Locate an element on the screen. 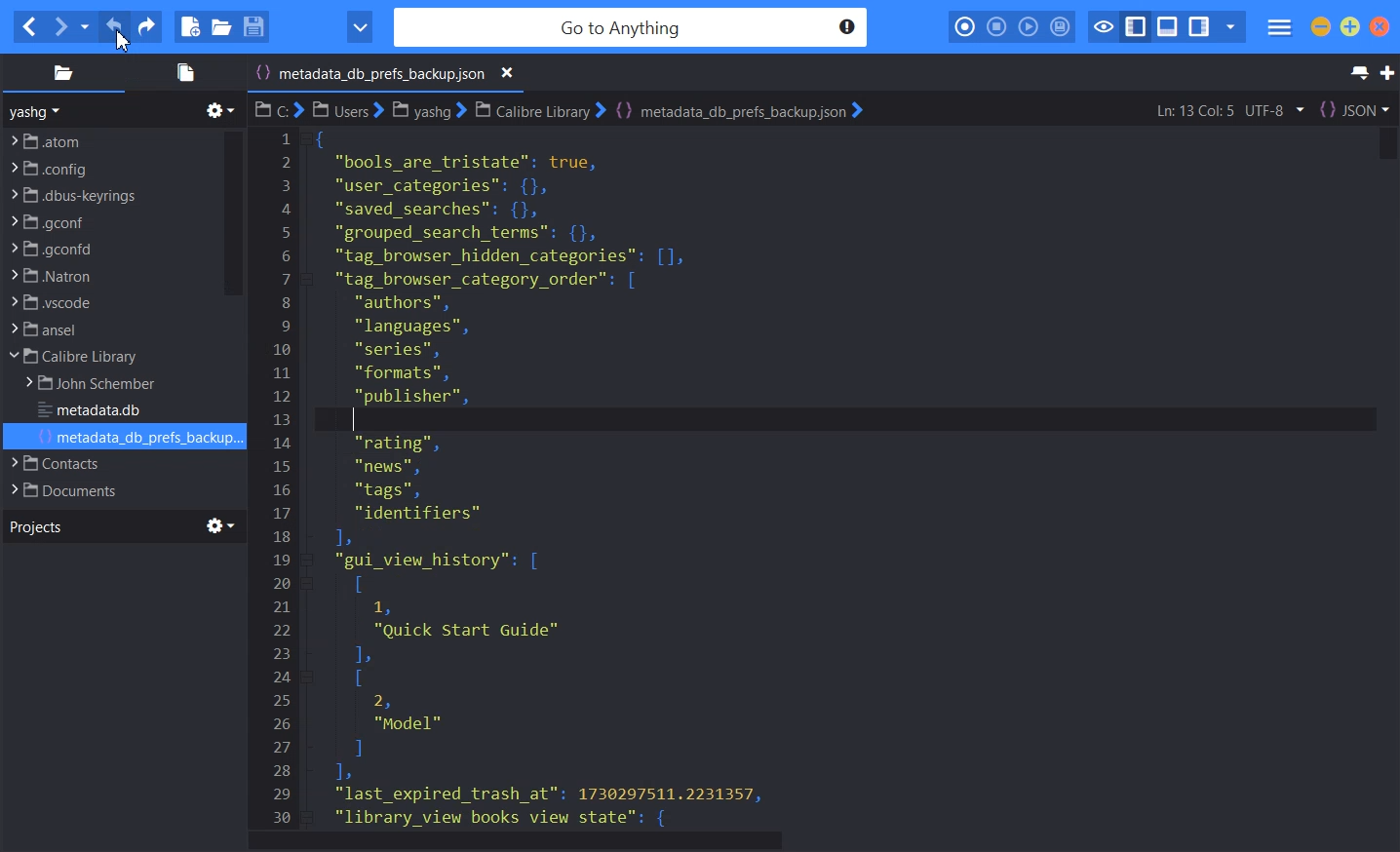 Image resolution: width=1400 pixels, height=852 pixels. File is located at coordinates (138, 438).